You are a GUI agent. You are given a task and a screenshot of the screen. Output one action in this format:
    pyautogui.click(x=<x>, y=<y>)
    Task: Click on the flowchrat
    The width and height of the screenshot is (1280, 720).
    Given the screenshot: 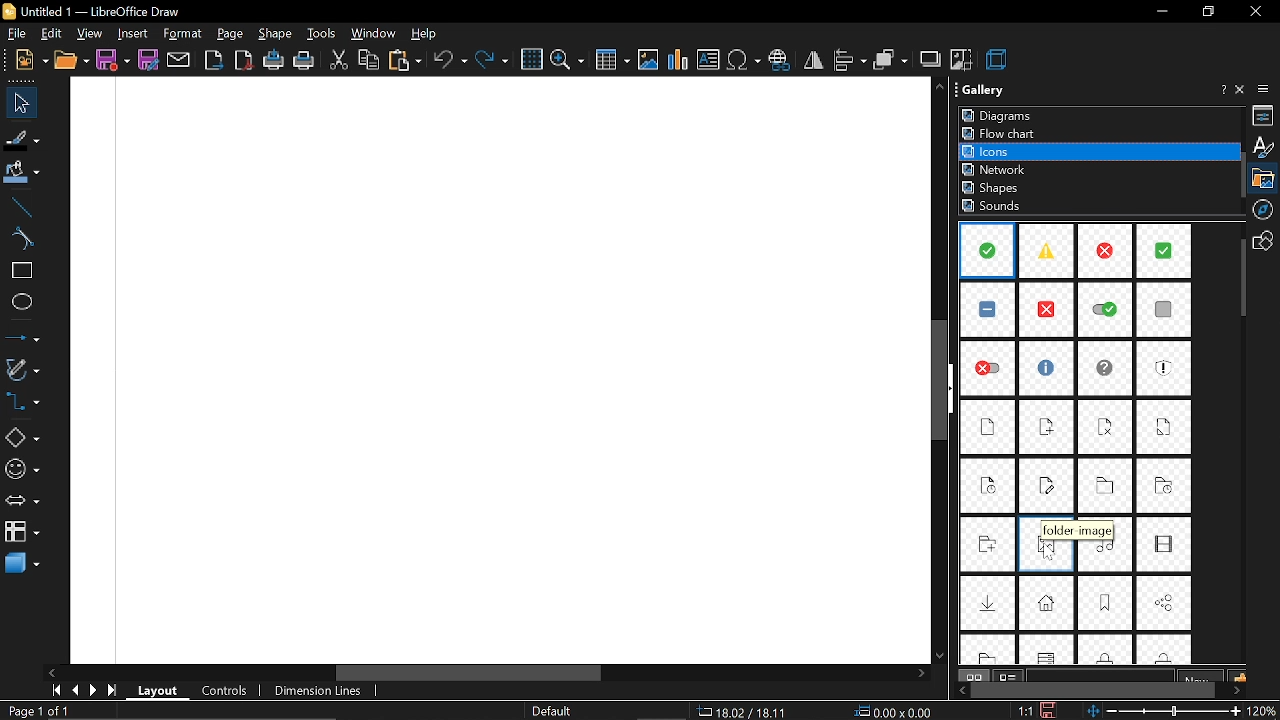 What is the action you would take?
    pyautogui.click(x=1003, y=133)
    